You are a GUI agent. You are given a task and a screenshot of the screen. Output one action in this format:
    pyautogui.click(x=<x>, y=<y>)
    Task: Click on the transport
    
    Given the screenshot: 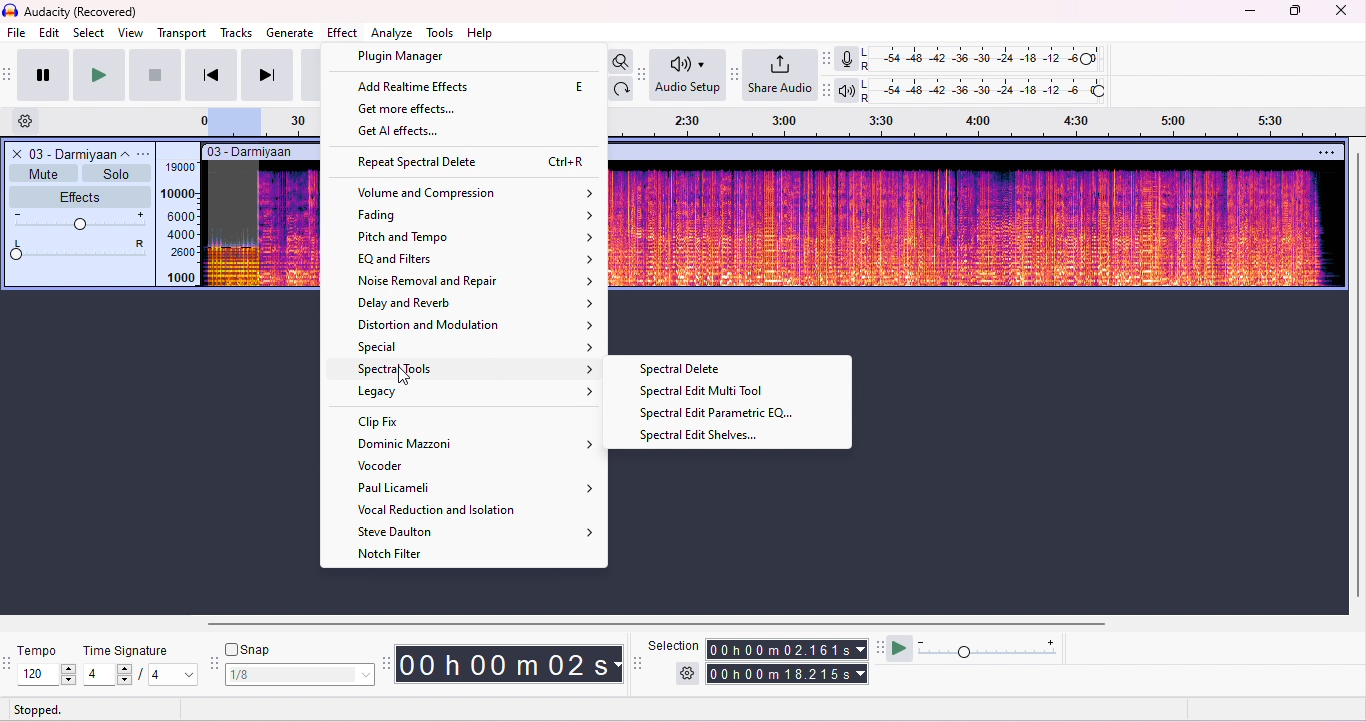 What is the action you would take?
    pyautogui.click(x=182, y=34)
    